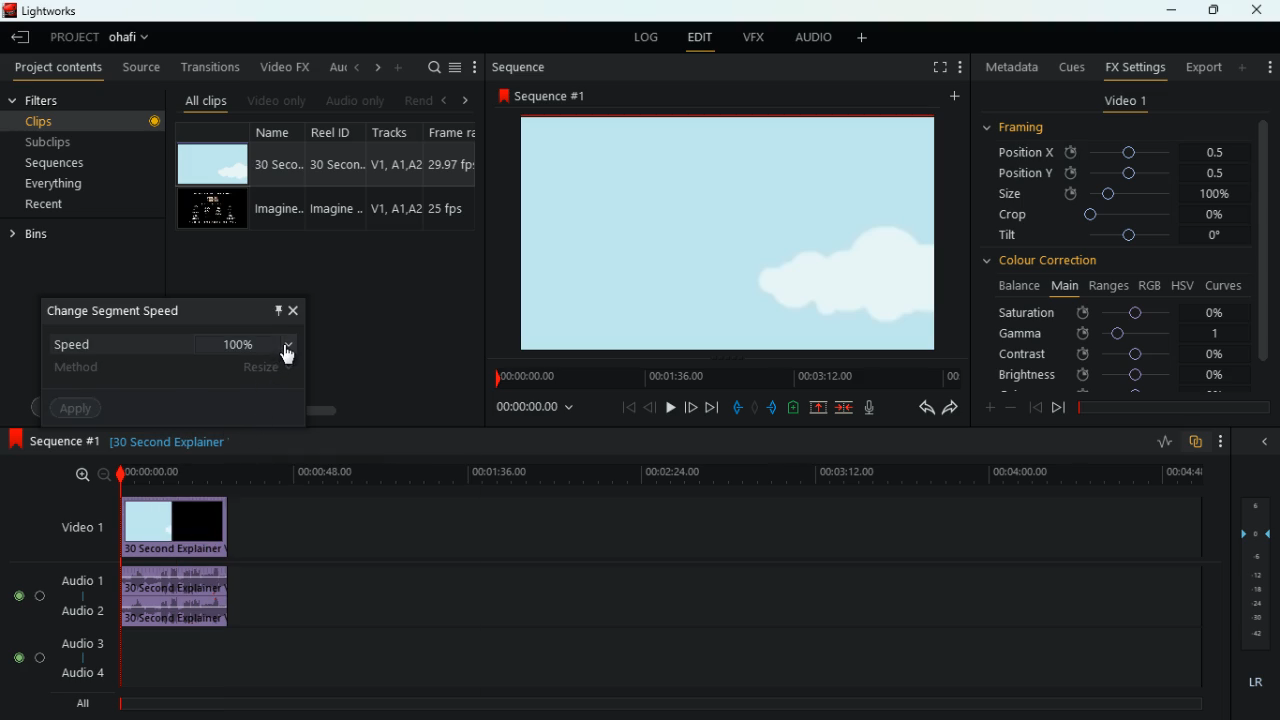  What do you see at coordinates (1182, 285) in the screenshot?
I see `hsv` at bounding box center [1182, 285].